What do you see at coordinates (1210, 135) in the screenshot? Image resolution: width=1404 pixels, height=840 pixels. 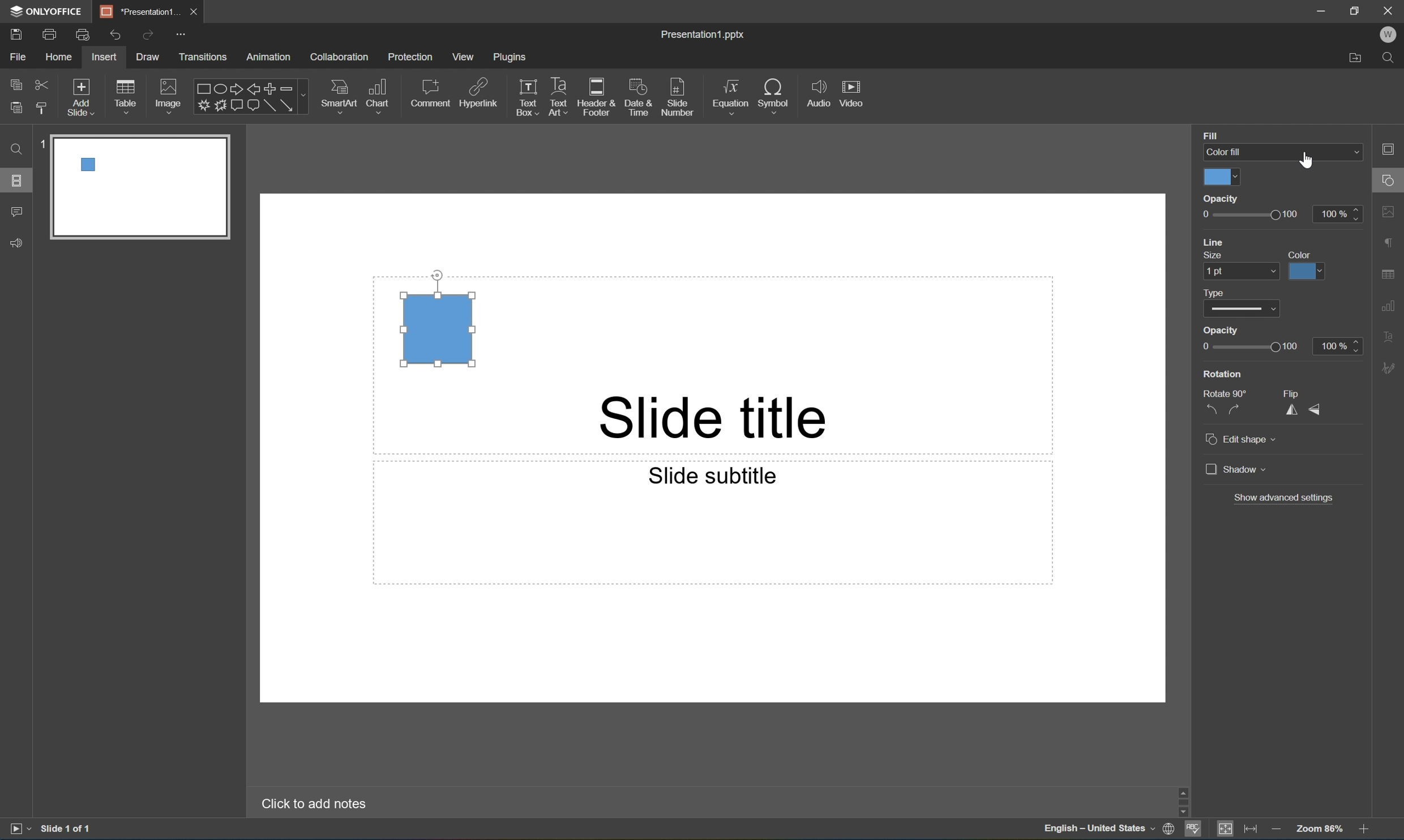 I see `Fill` at bounding box center [1210, 135].